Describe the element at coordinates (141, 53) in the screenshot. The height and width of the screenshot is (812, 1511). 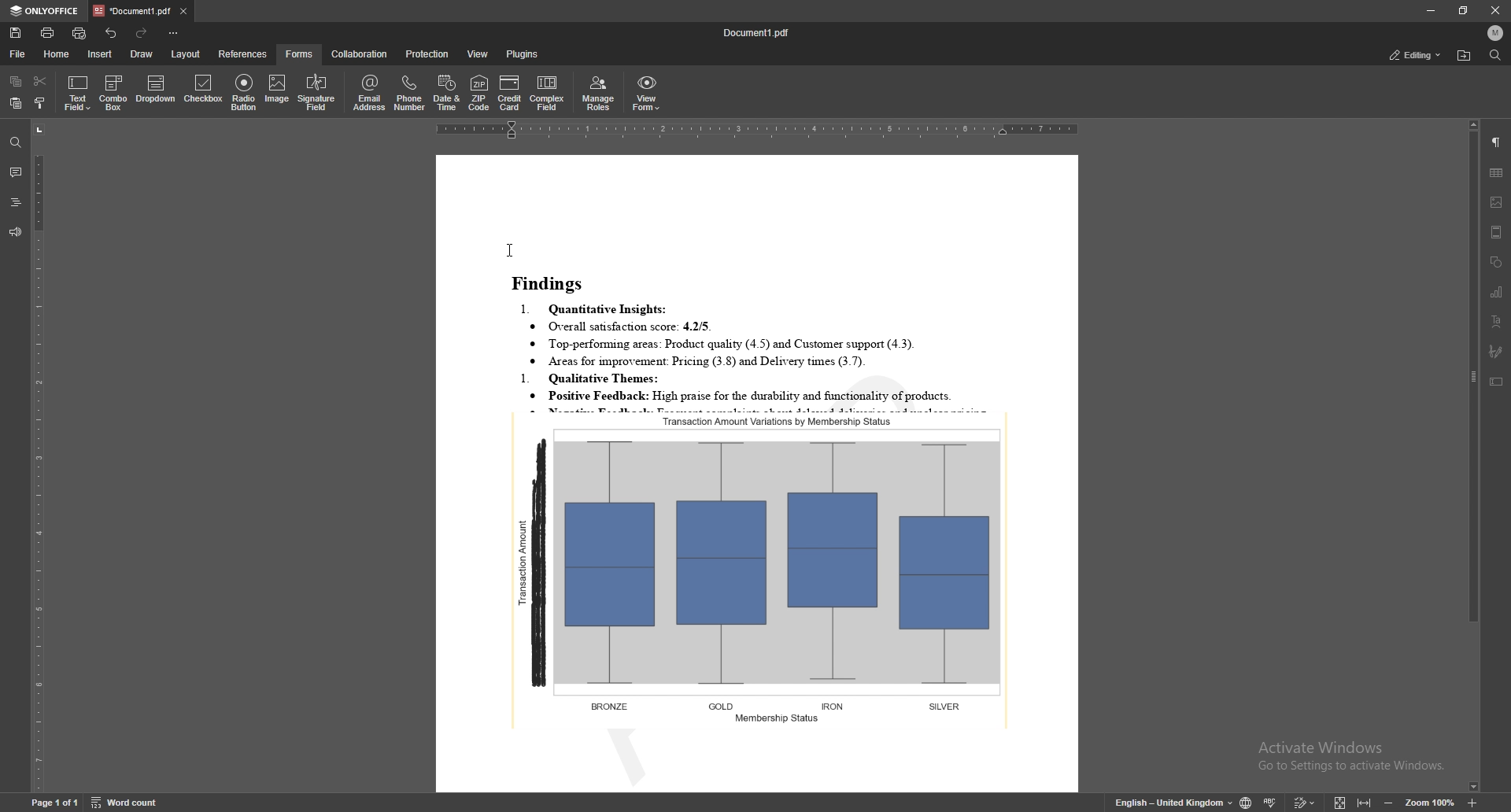
I see `draw` at that location.